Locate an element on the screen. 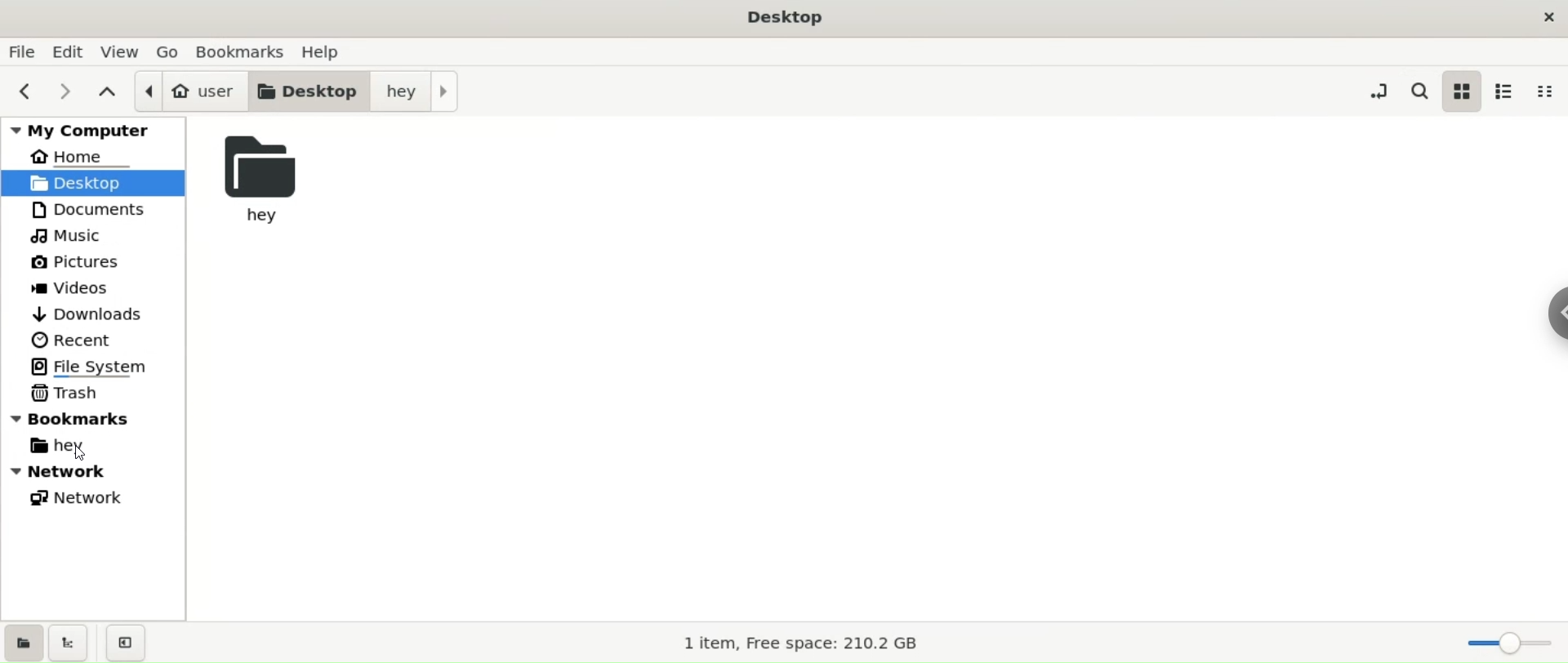 The image size is (1568, 663). chrome options is located at coordinates (1554, 314).